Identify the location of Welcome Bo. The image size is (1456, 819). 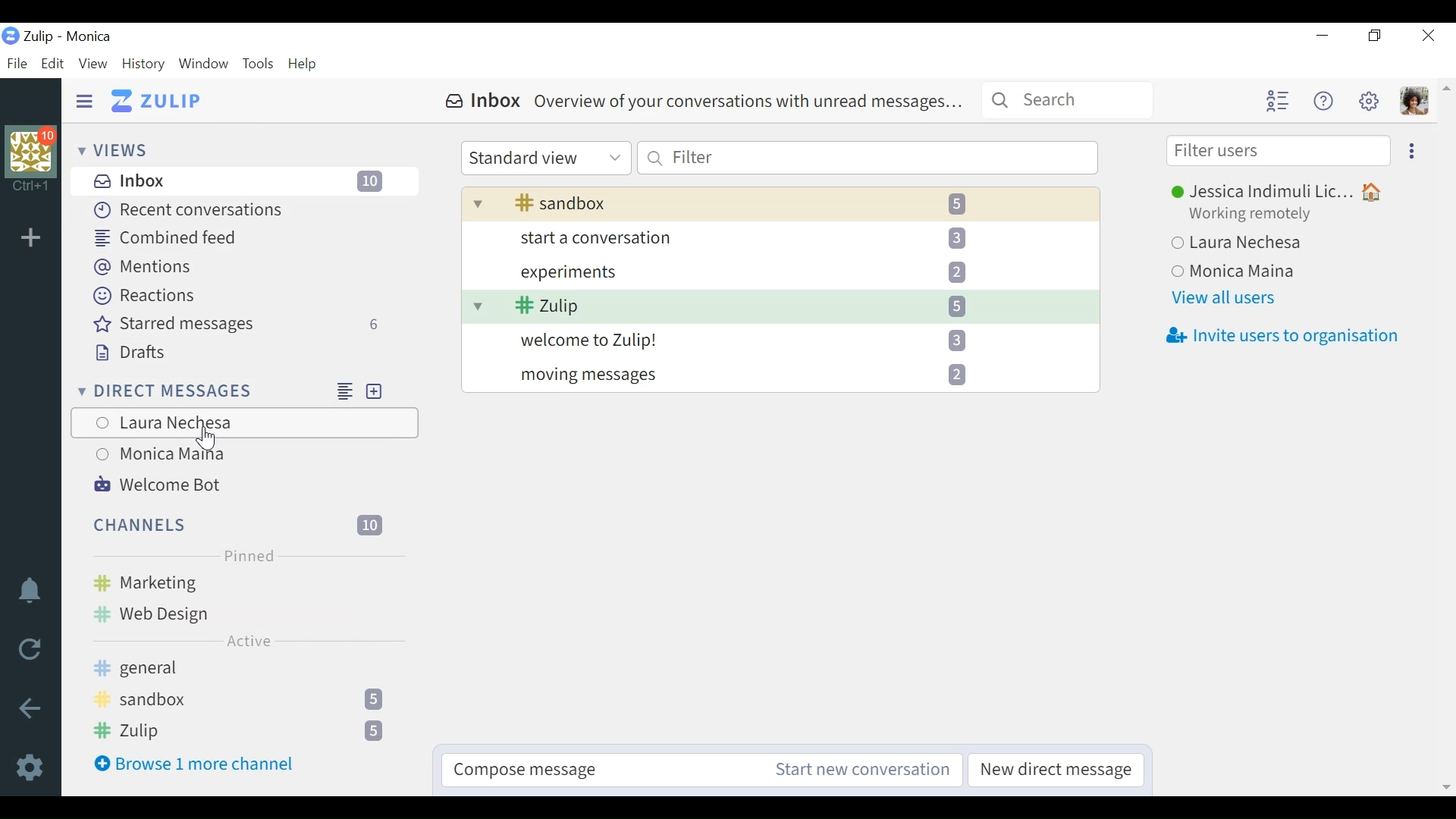
(162, 486).